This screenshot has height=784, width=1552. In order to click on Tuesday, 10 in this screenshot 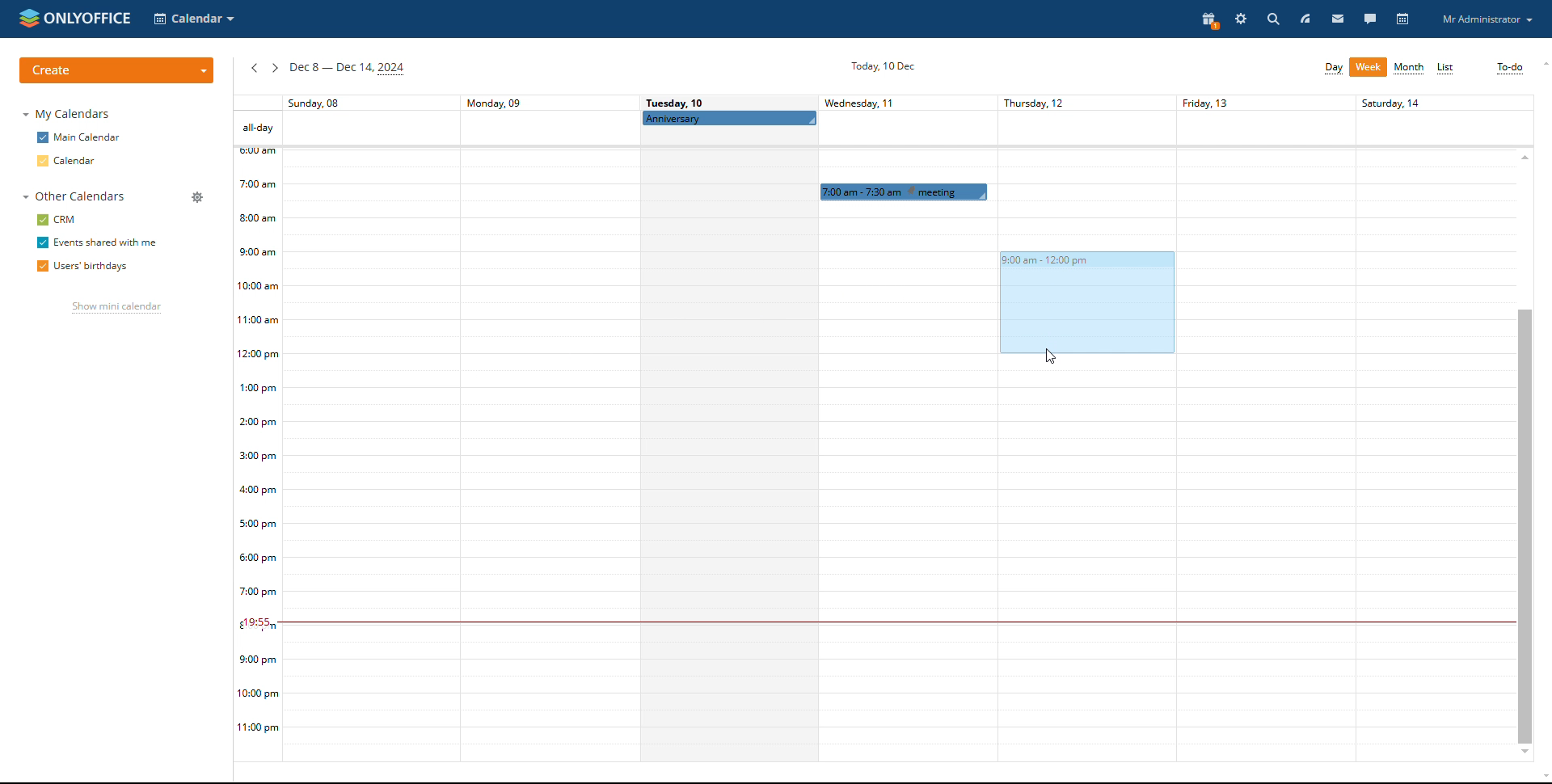, I will do `click(677, 102)`.